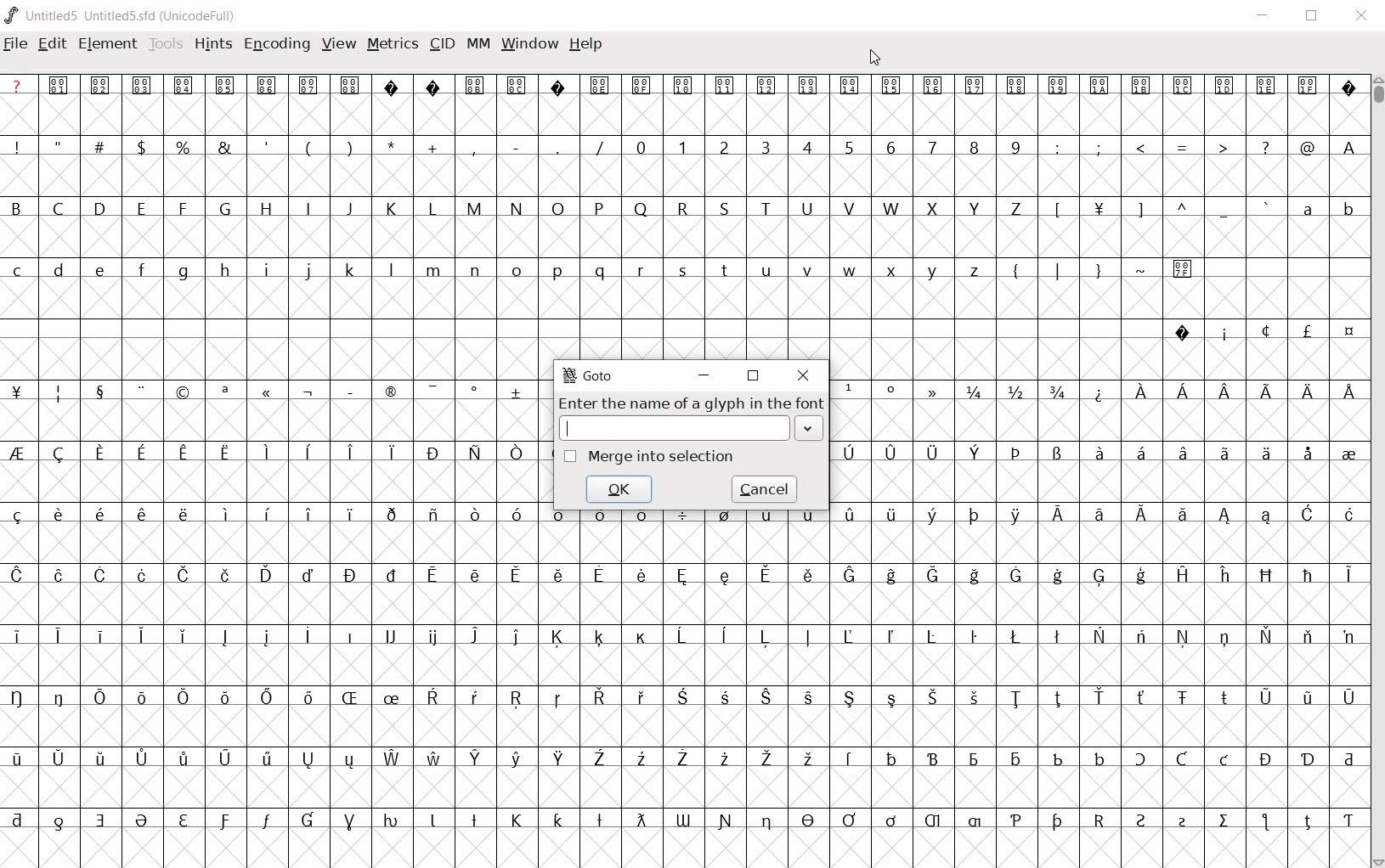 Image resolution: width=1385 pixels, height=868 pixels. I want to click on Symbol, so click(433, 85).